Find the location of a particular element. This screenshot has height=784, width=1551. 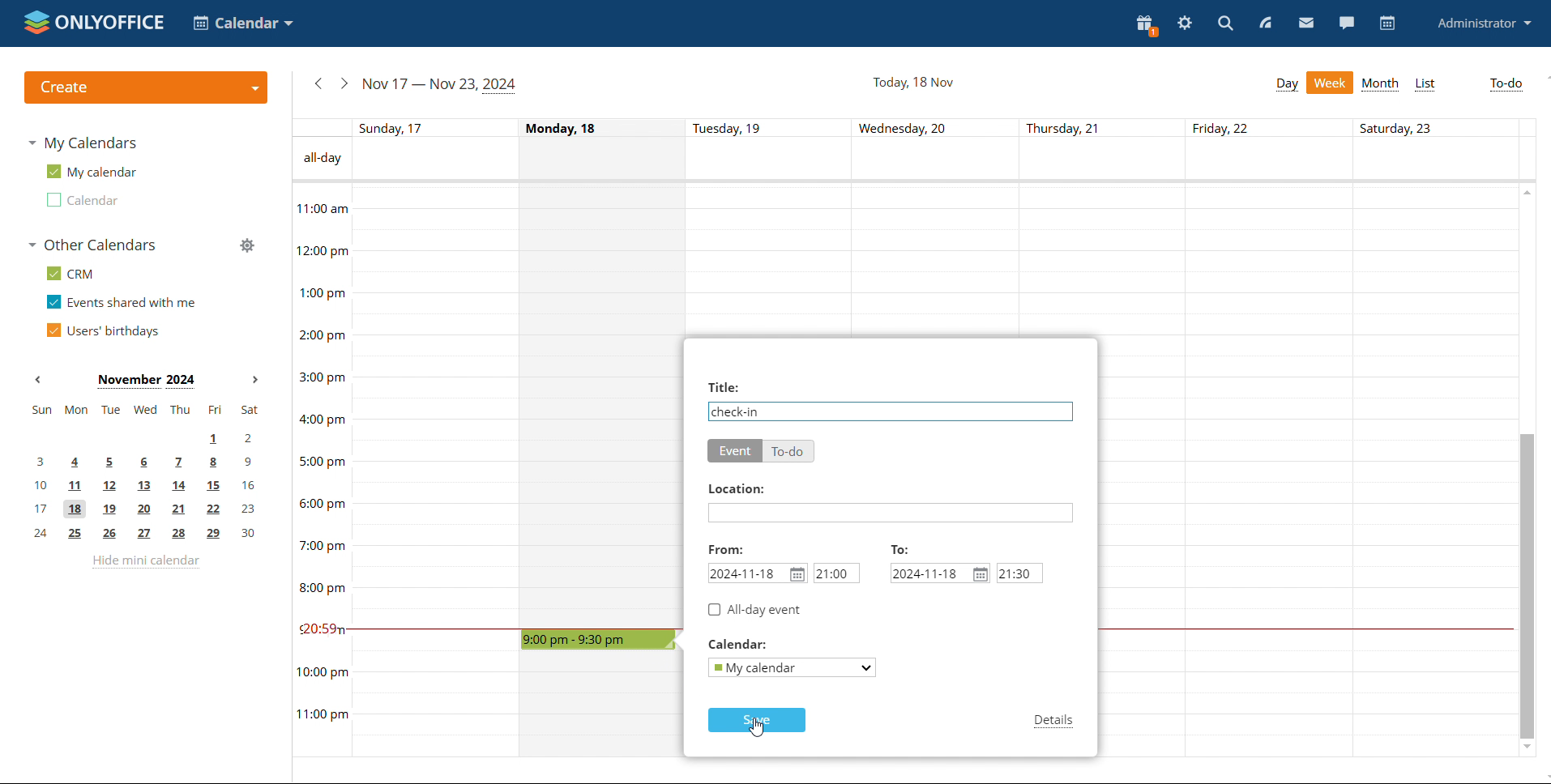

Sunday is located at coordinates (438, 471).